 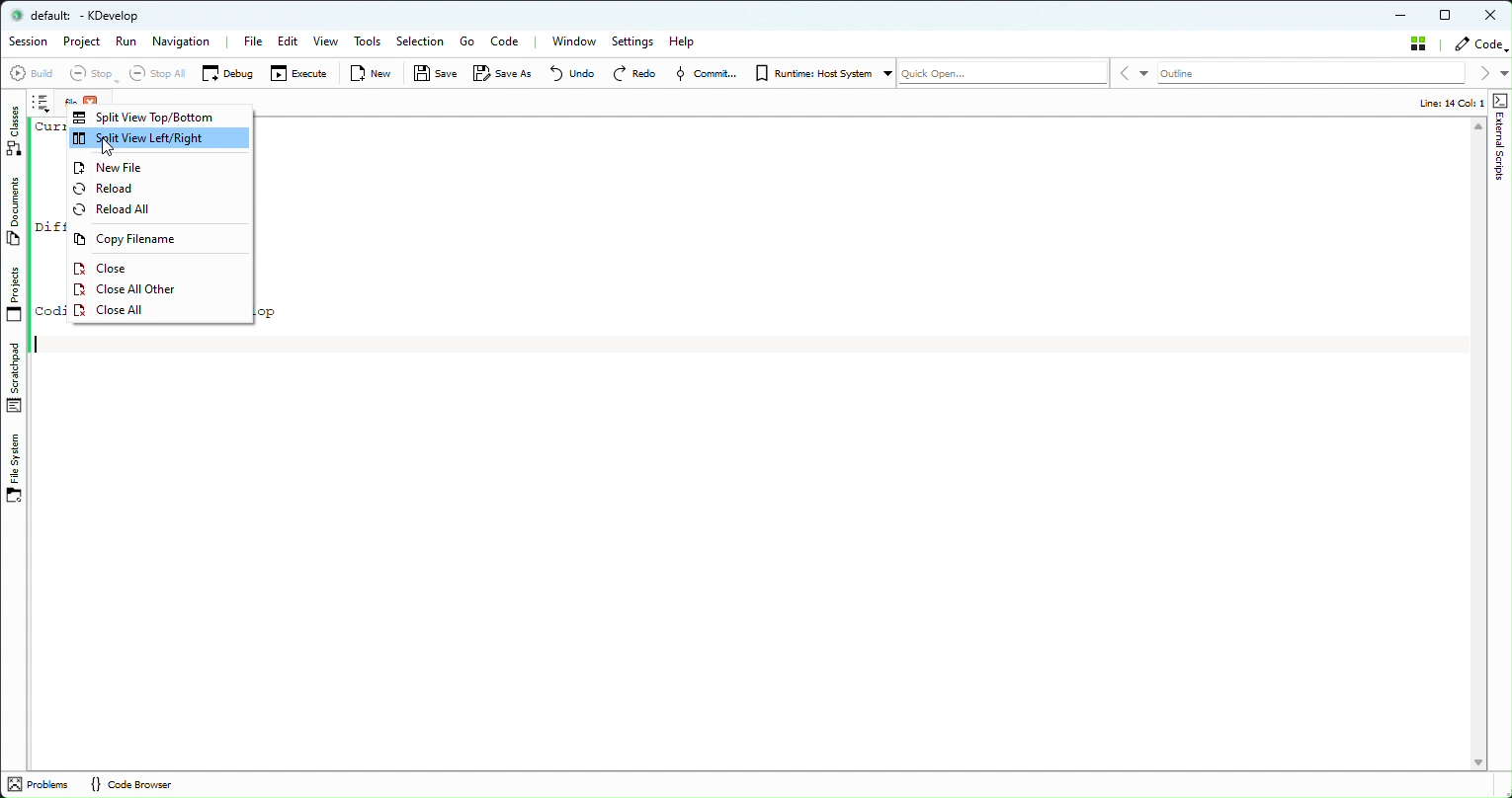 What do you see at coordinates (288, 42) in the screenshot?
I see `Edit` at bounding box center [288, 42].